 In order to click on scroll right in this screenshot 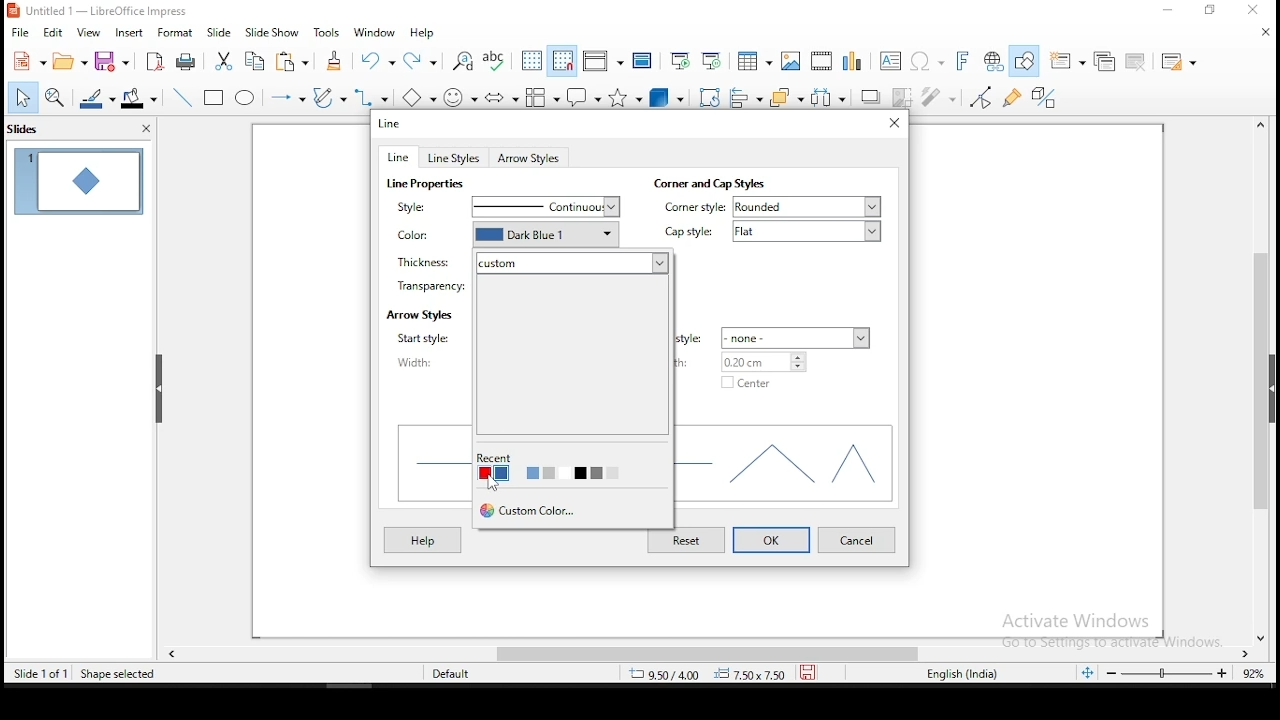, I will do `click(1249, 651)`.